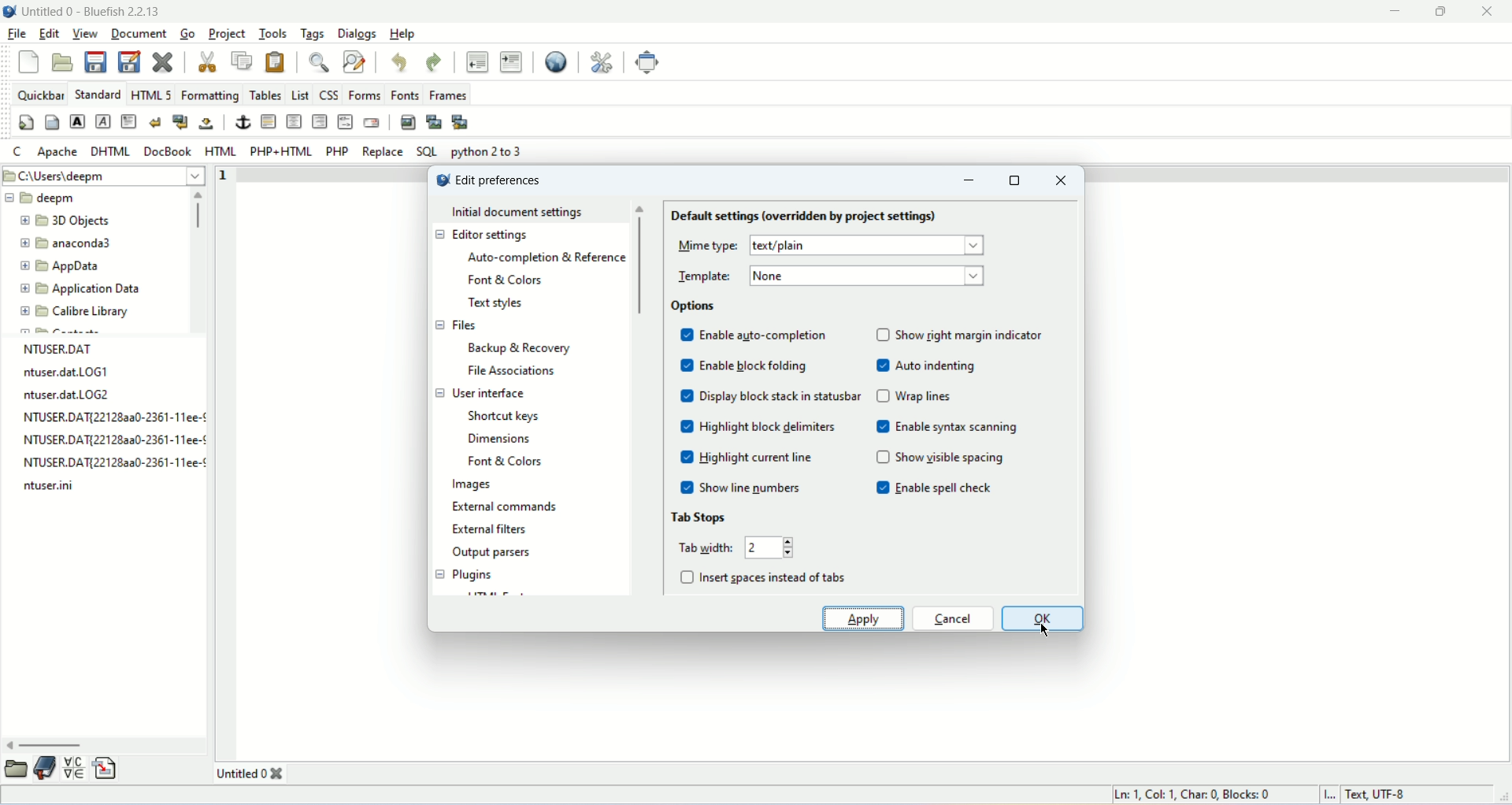  What do you see at coordinates (447, 95) in the screenshot?
I see `frames` at bounding box center [447, 95].